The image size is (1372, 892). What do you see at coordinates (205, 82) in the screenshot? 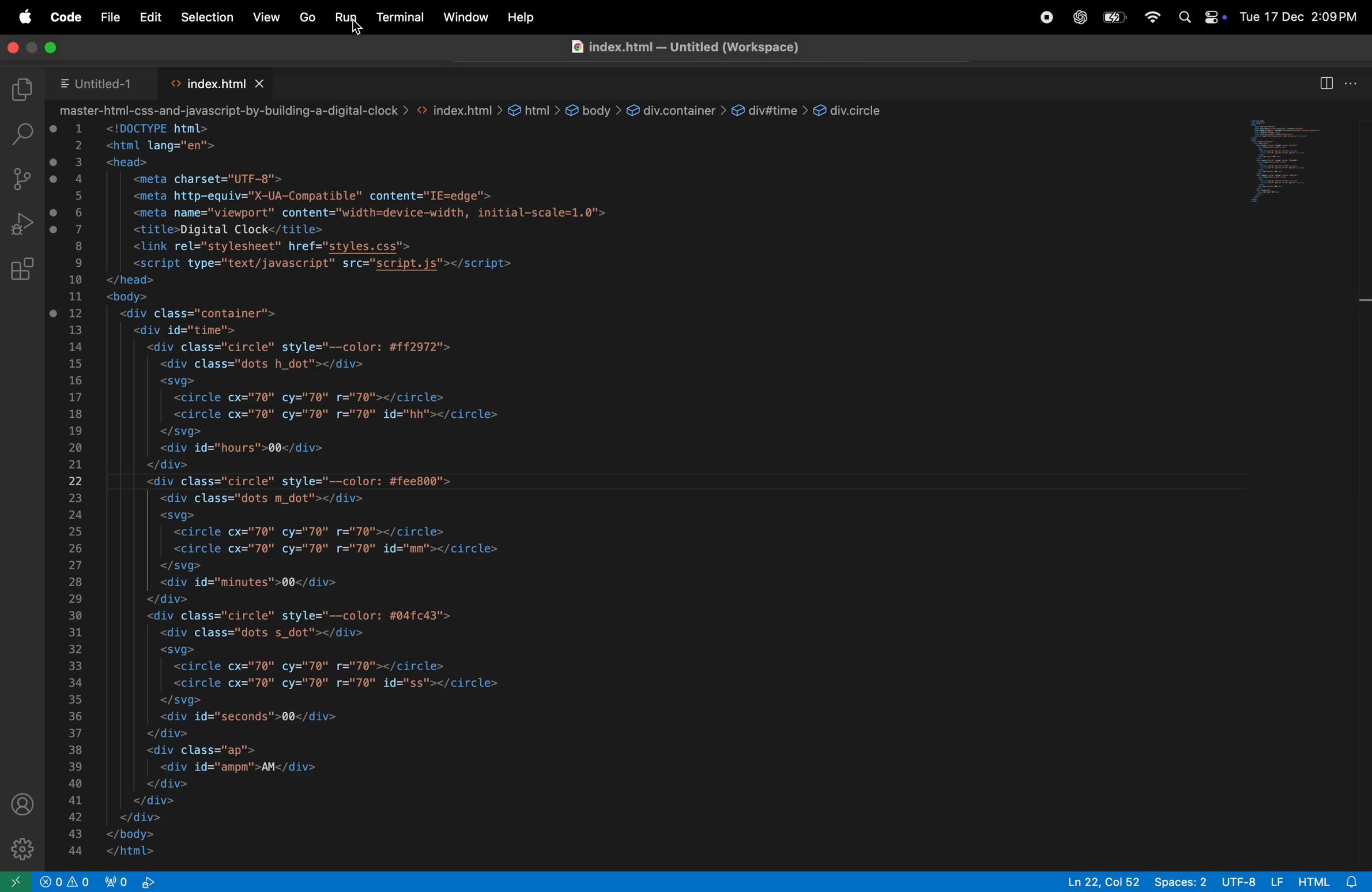
I see `index,html` at bounding box center [205, 82].